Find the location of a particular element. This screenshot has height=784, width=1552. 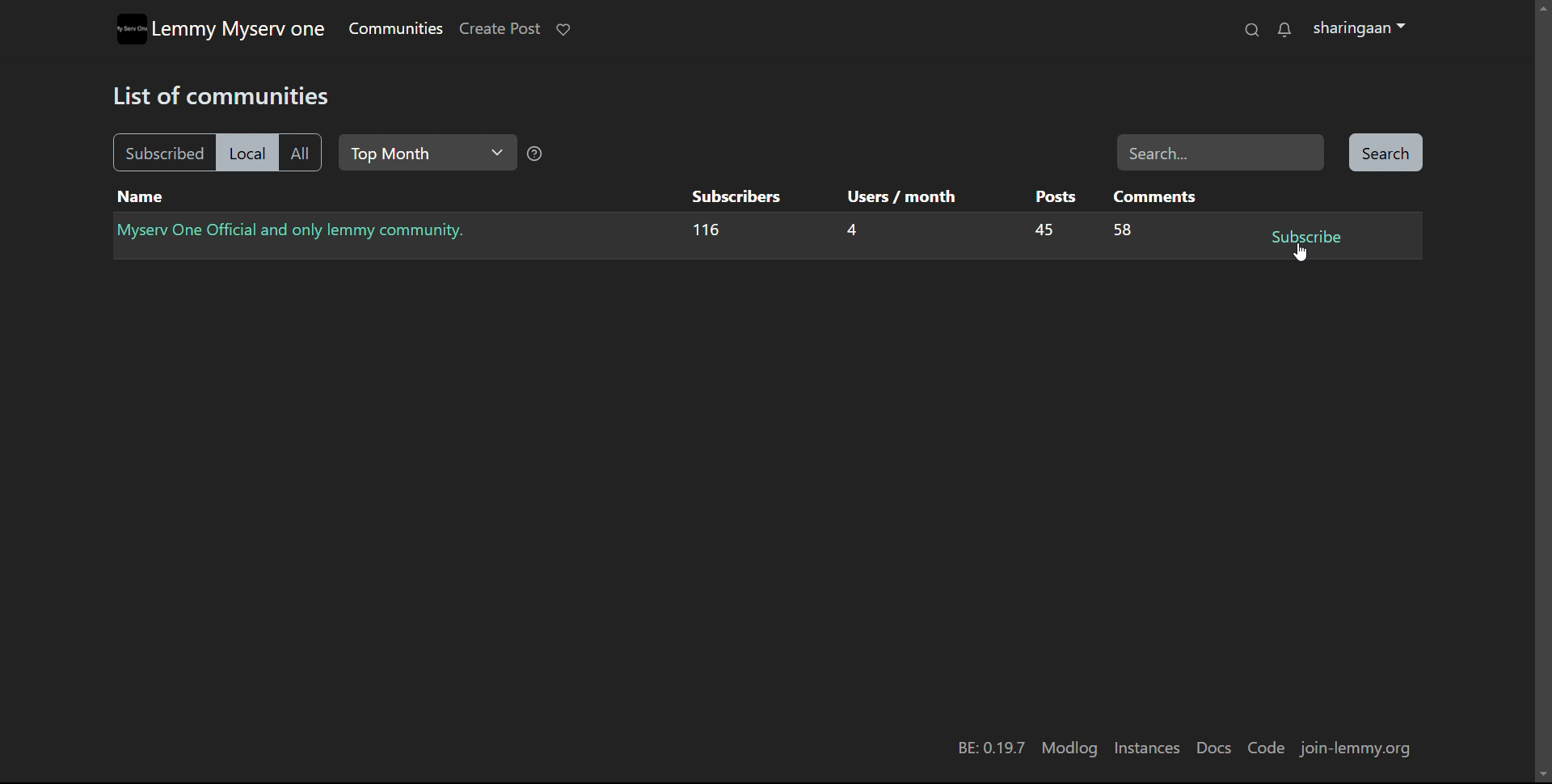

donate to lemmy is located at coordinates (563, 29).